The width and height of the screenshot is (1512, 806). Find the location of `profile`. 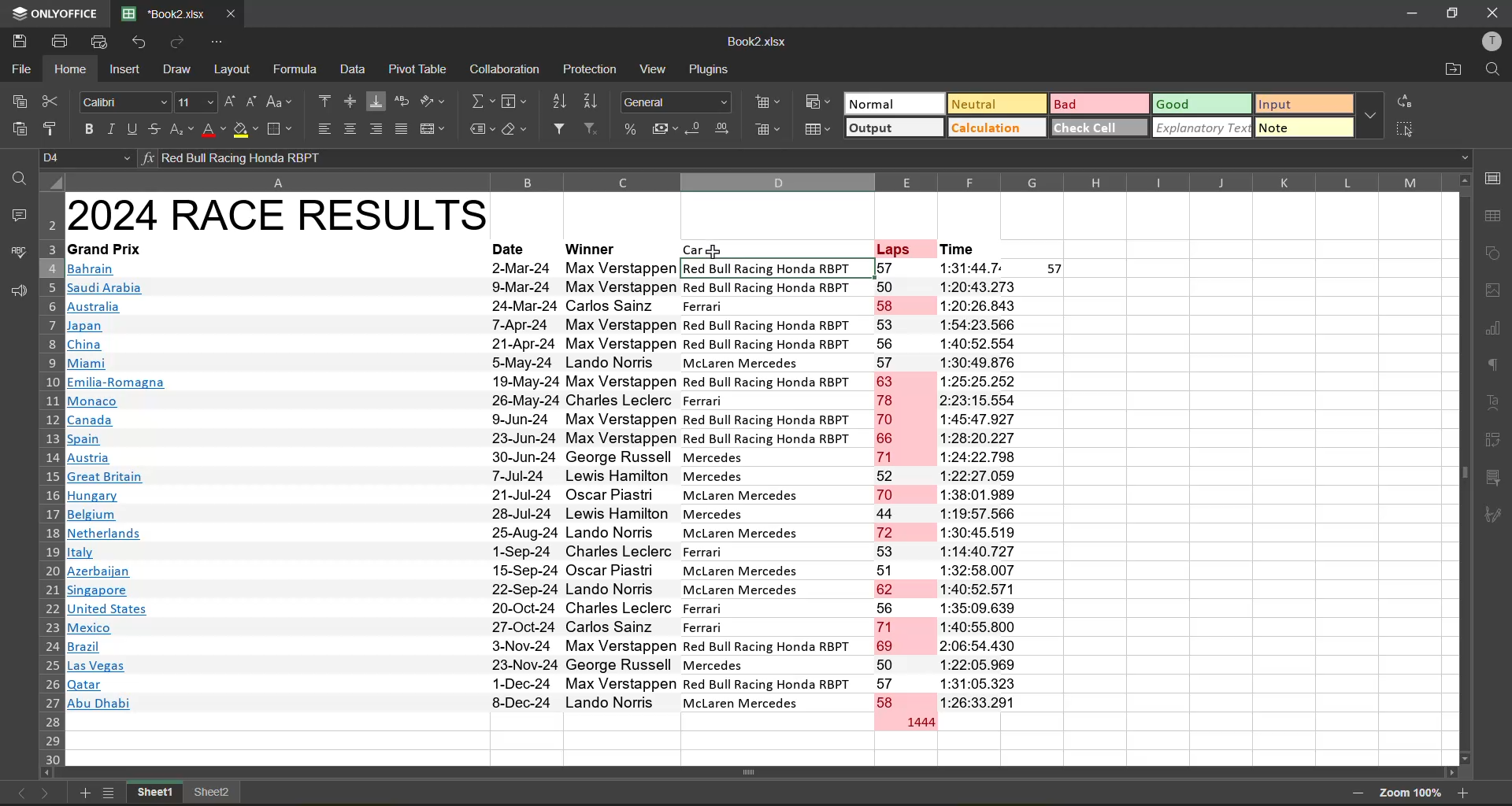

profile is located at coordinates (1492, 42).